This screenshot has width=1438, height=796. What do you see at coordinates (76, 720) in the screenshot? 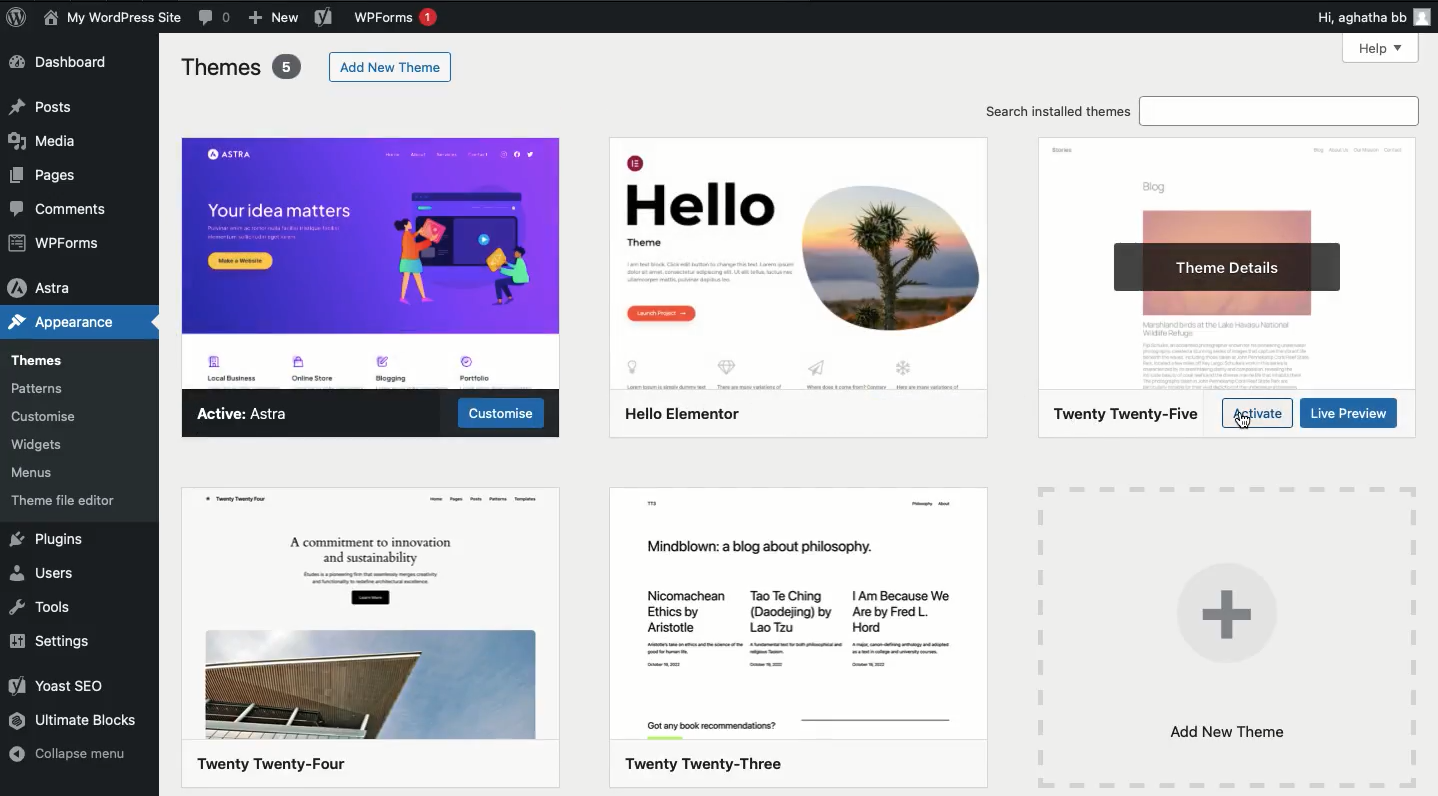
I see `Ultimate blocks` at bounding box center [76, 720].